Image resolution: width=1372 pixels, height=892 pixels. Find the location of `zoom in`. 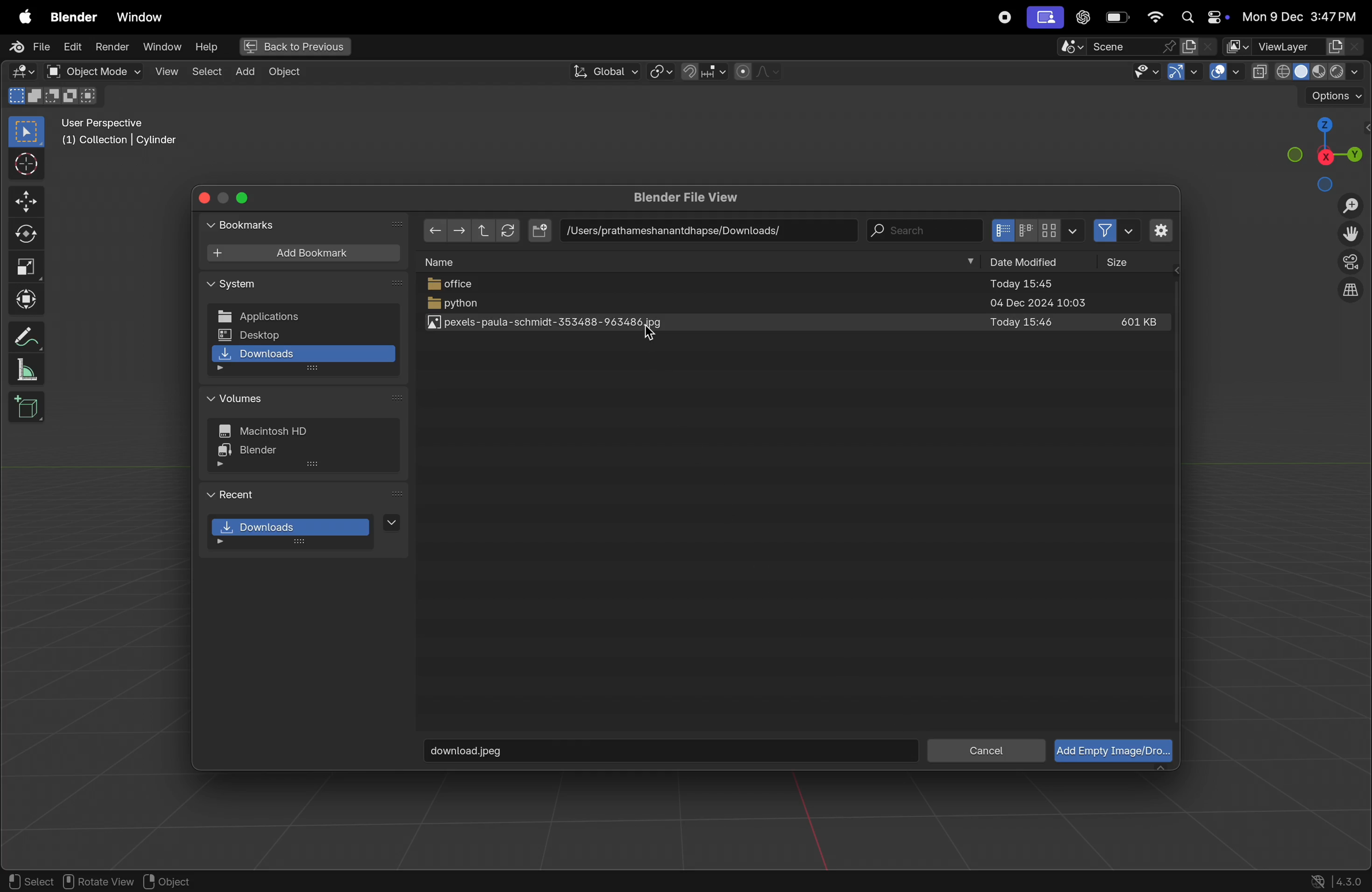

zoom in is located at coordinates (1350, 206).